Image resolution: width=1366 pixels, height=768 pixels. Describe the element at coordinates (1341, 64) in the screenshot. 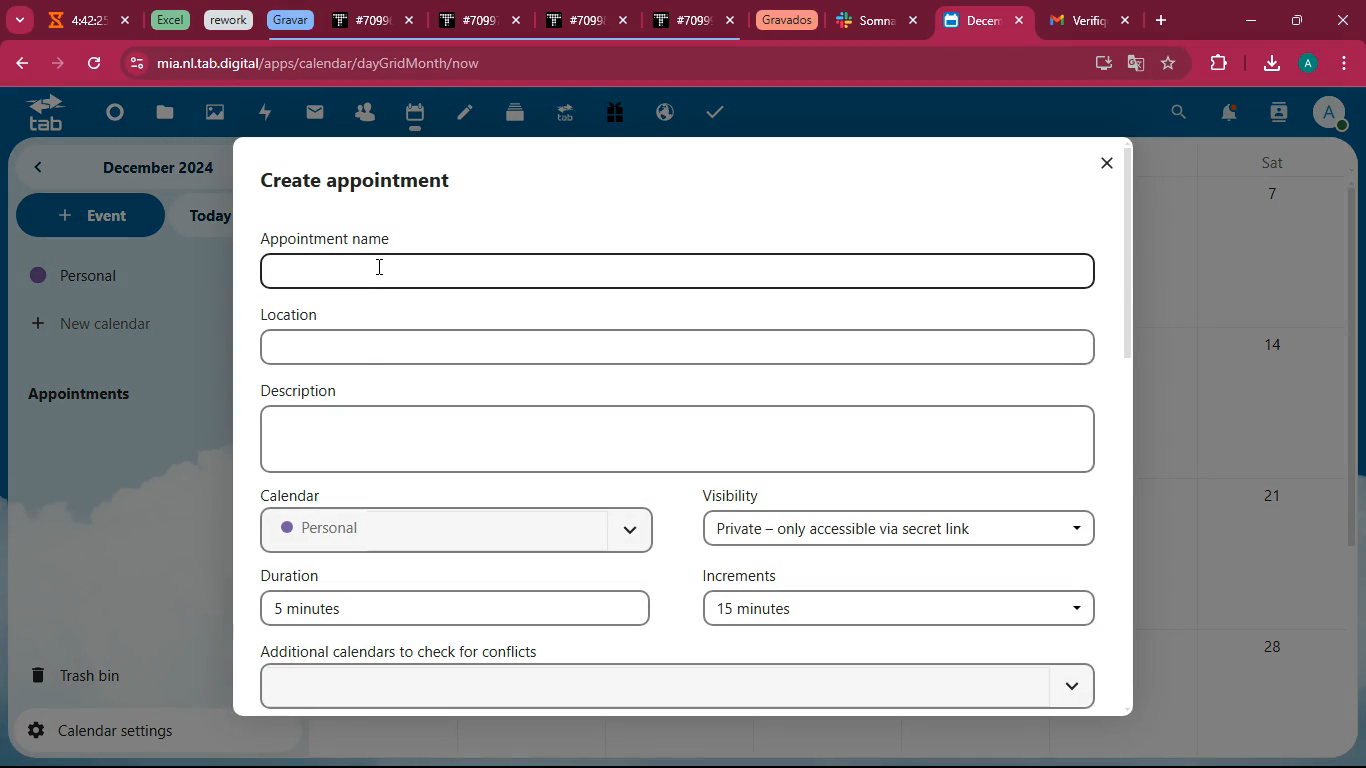

I see `menu` at that location.